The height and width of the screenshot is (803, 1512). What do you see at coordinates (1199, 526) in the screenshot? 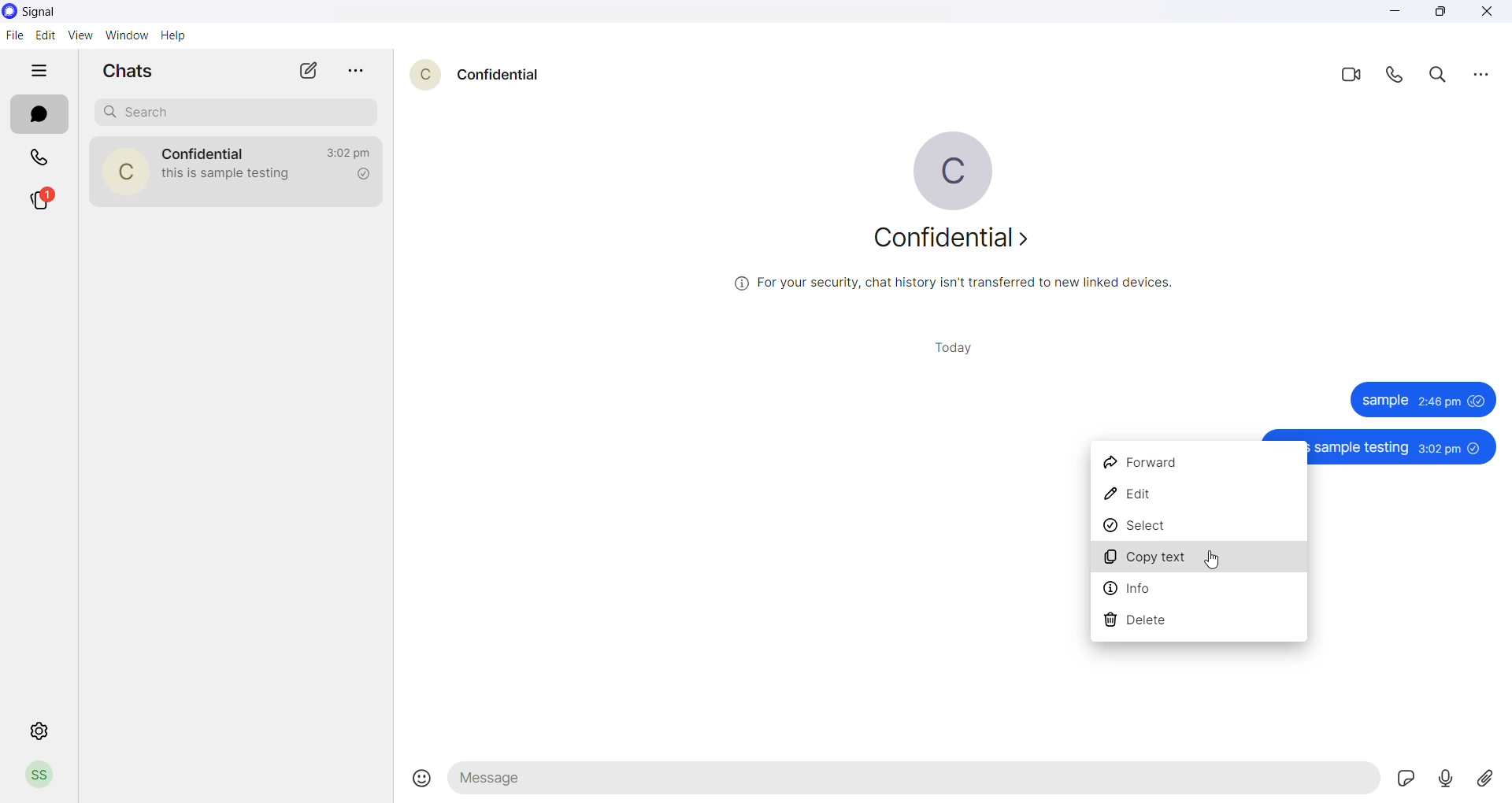
I see `select` at bounding box center [1199, 526].